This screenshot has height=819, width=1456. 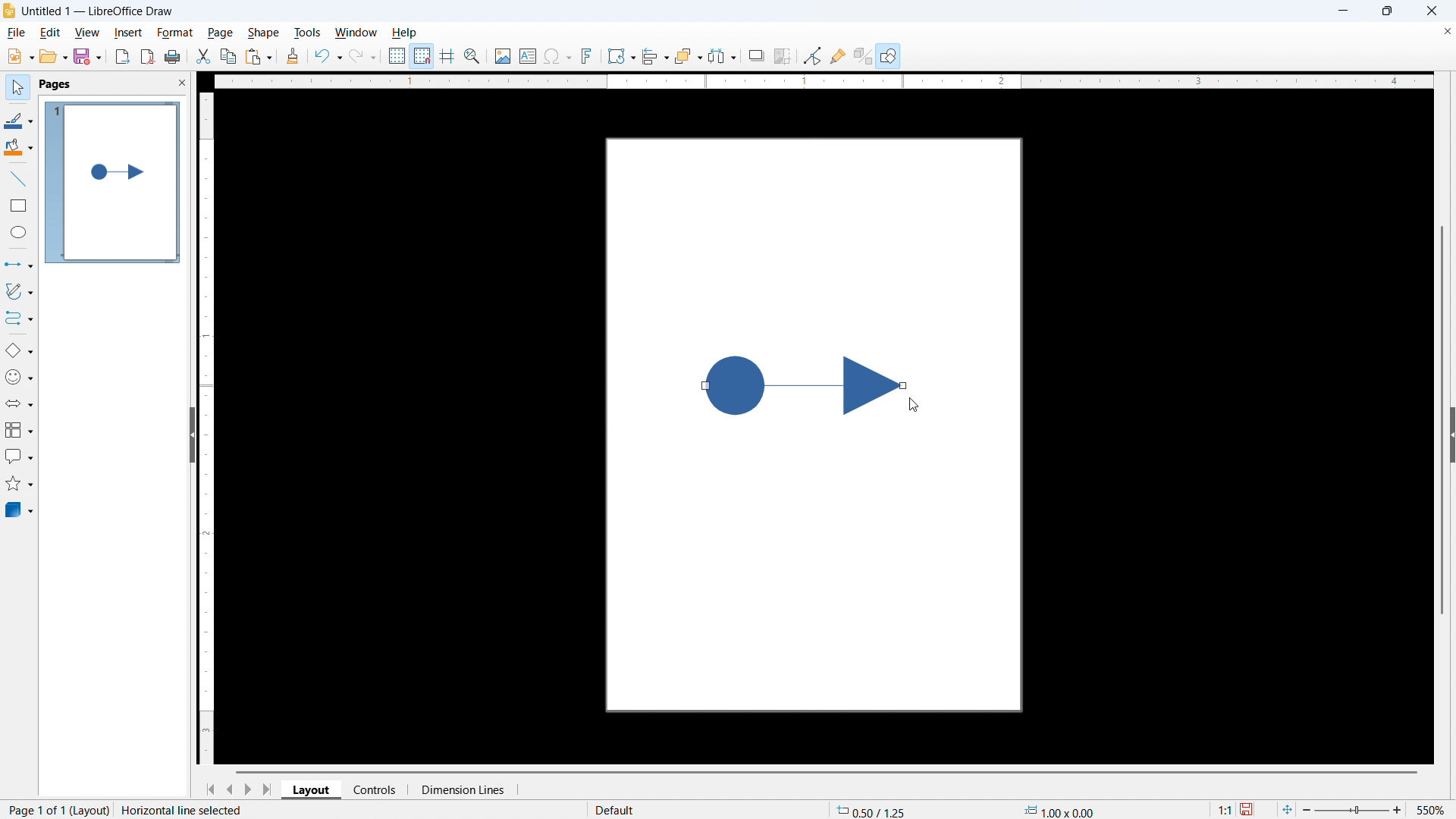 I want to click on Dimension lines , so click(x=462, y=790).